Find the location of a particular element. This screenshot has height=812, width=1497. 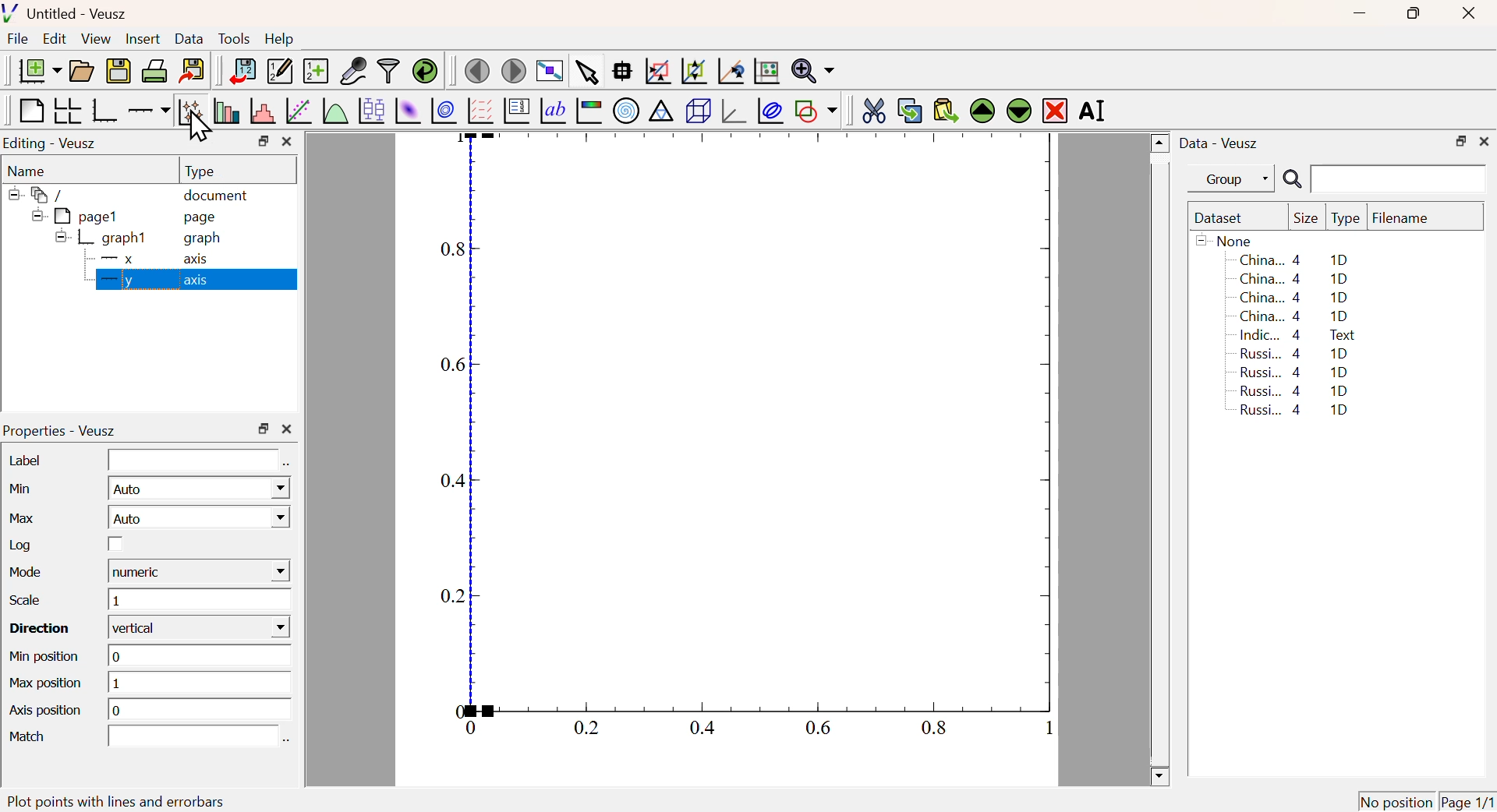

Text Label is located at coordinates (553, 111).